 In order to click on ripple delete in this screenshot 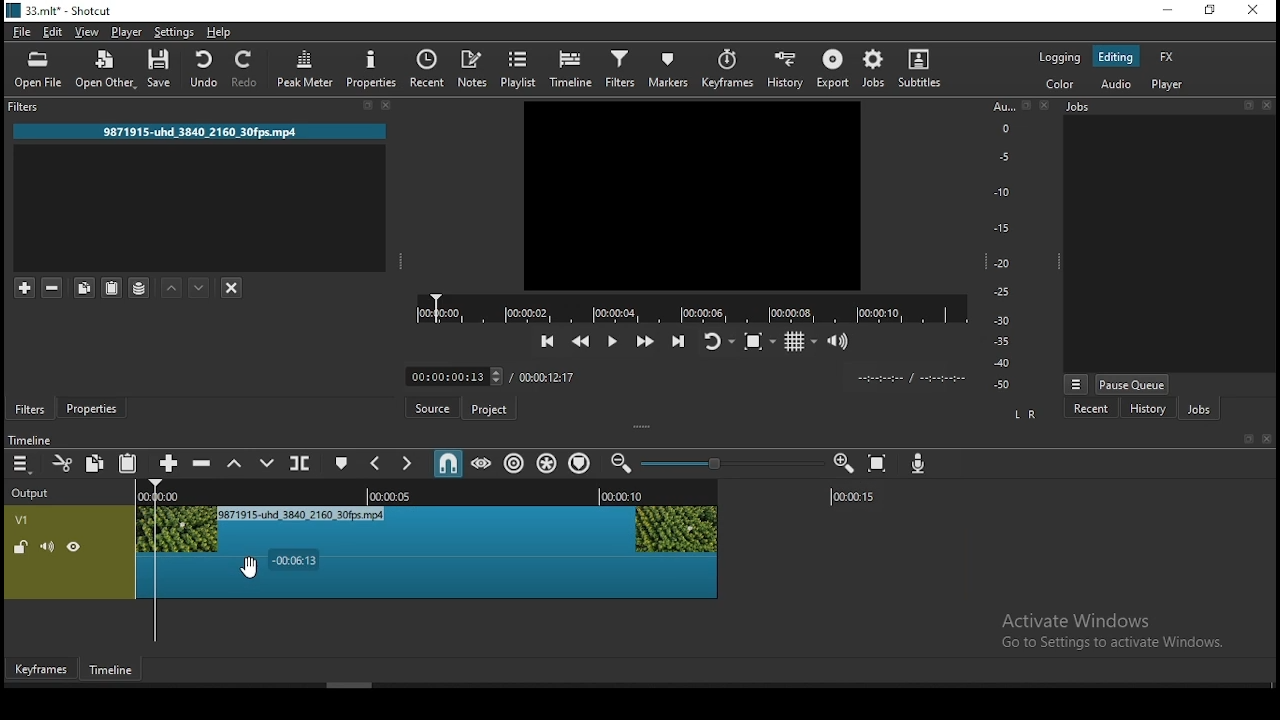, I will do `click(206, 464)`.